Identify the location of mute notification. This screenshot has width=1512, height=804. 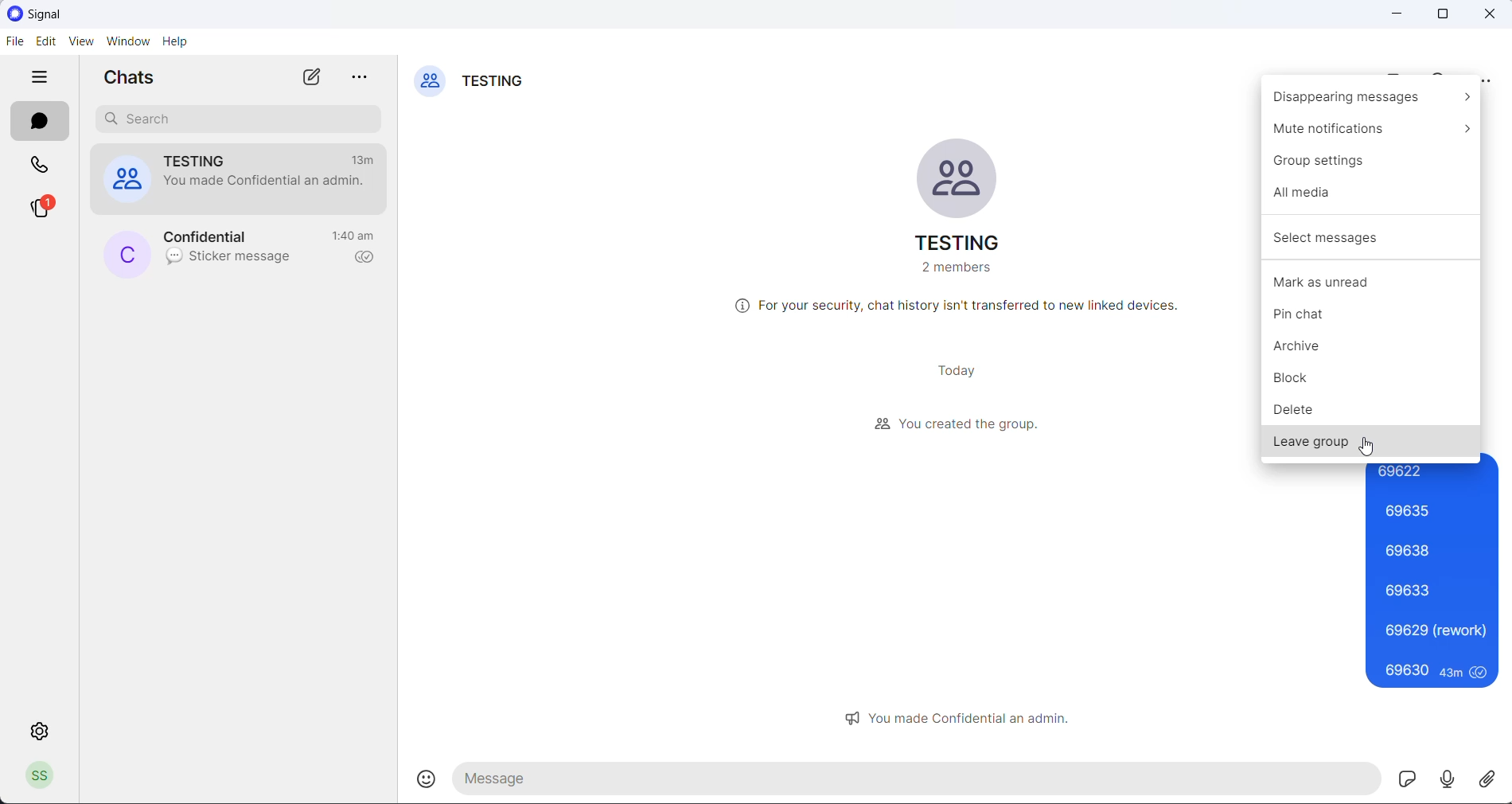
(1372, 127).